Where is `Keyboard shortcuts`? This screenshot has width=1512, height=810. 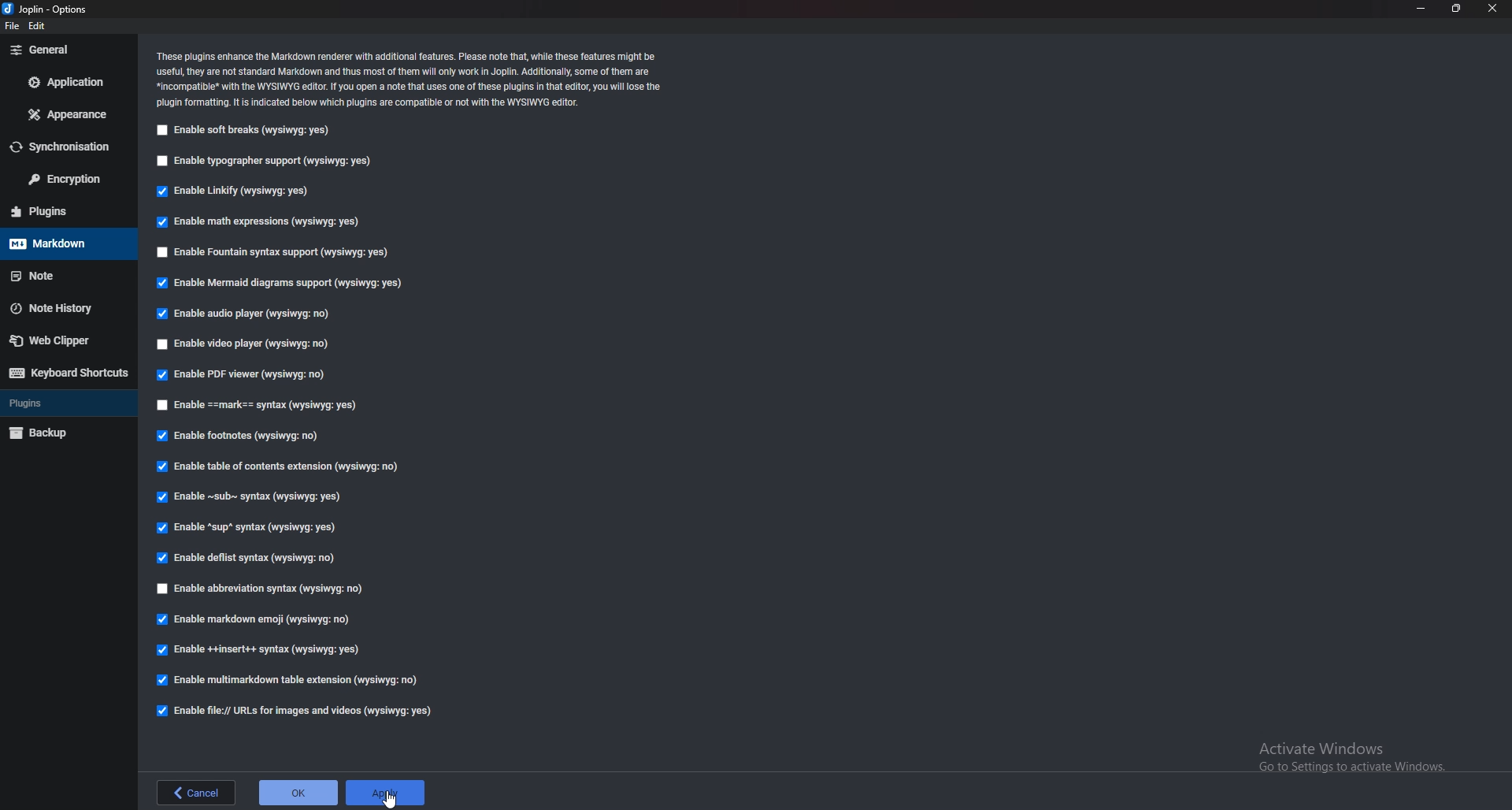 Keyboard shortcuts is located at coordinates (65, 373).